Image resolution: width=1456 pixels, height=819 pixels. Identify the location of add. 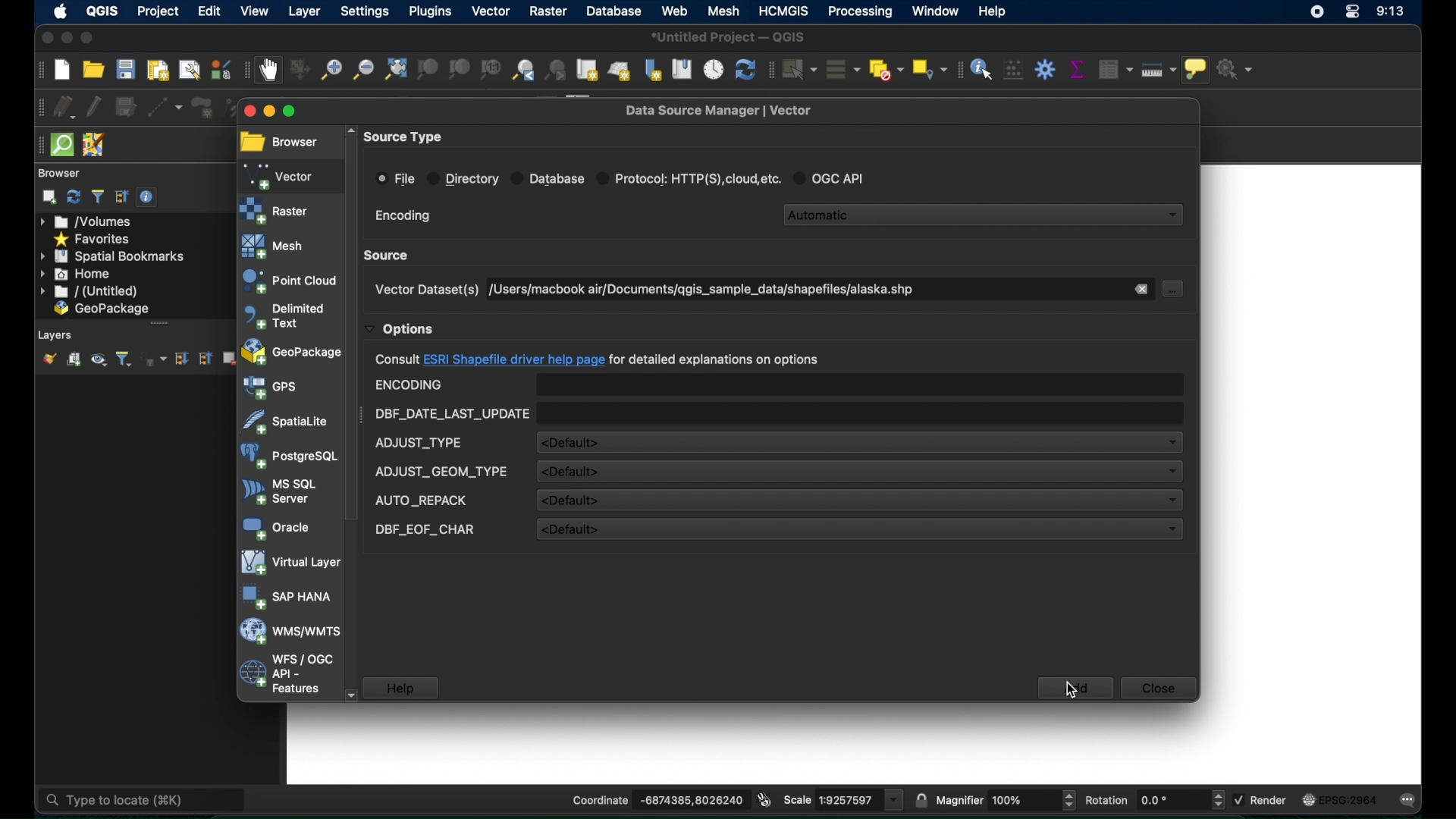
(1075, 688).